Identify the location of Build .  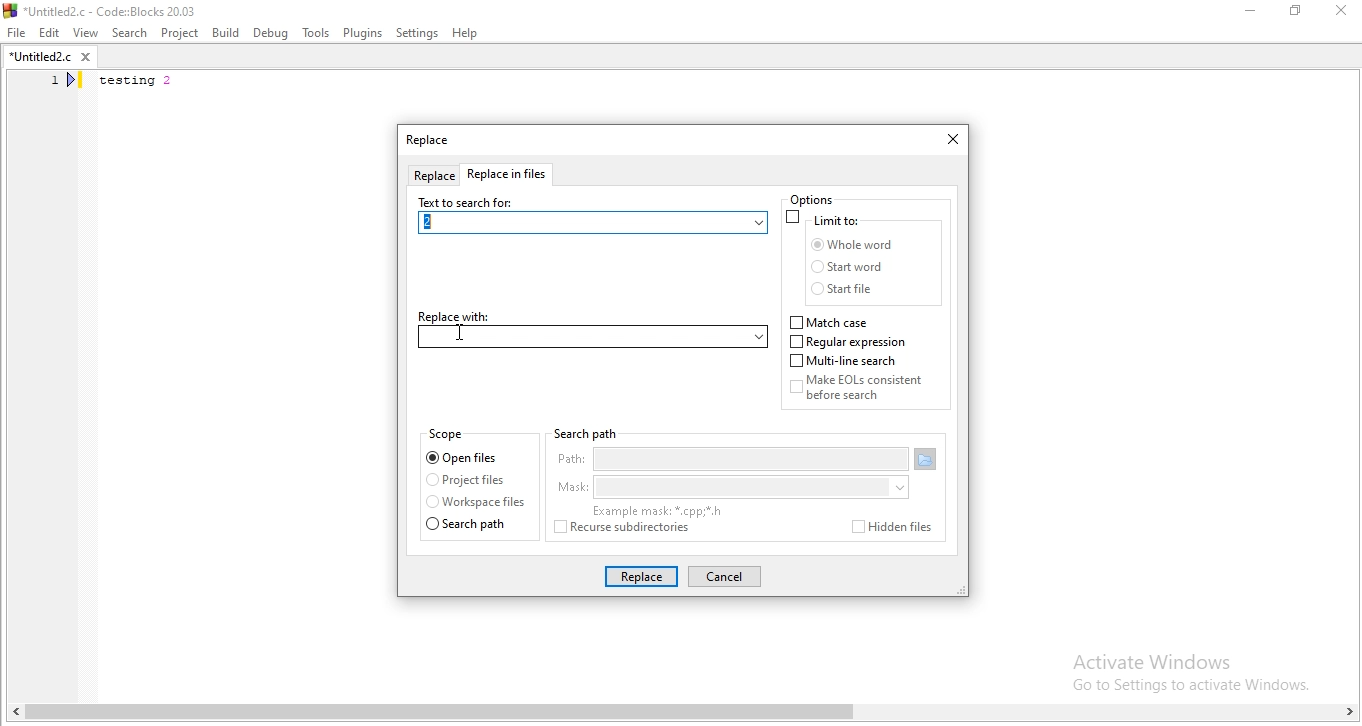
(225, 32).